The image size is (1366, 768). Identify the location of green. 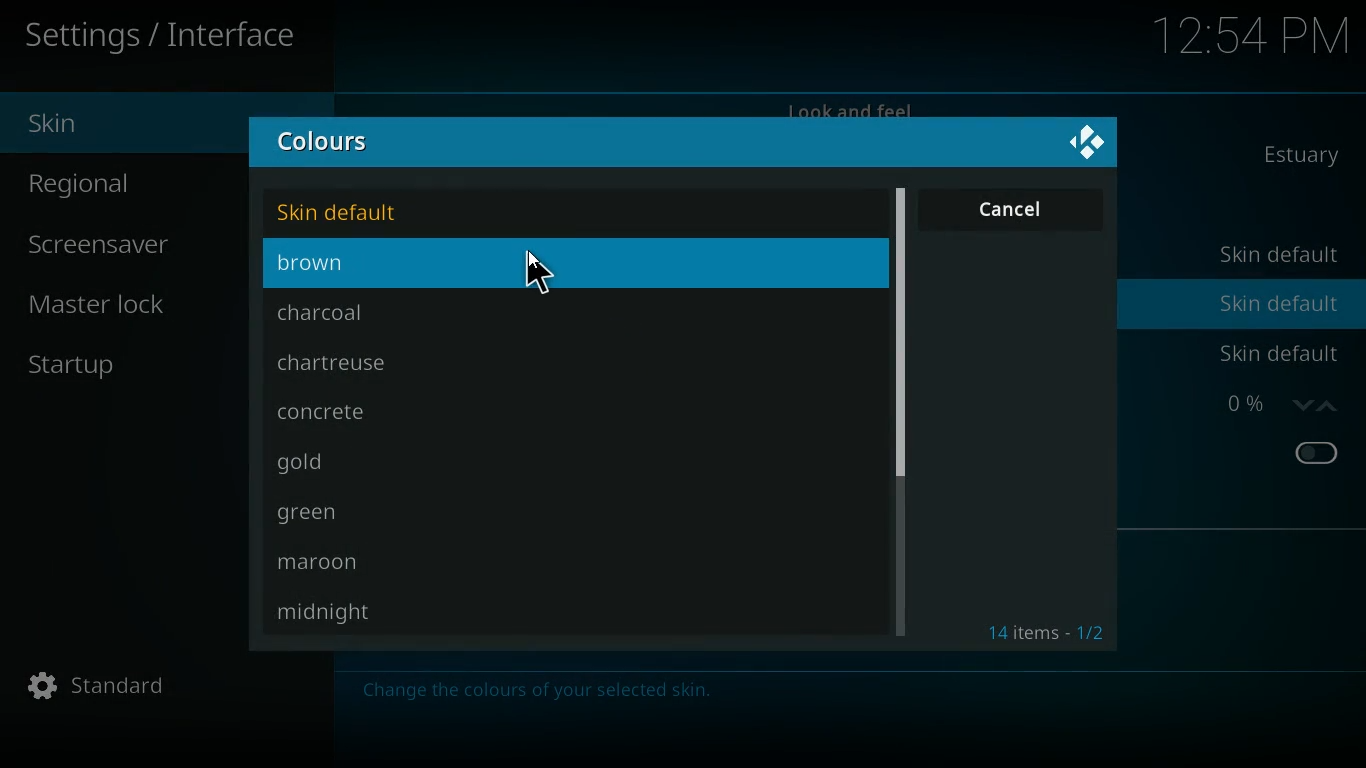
(355, 516).